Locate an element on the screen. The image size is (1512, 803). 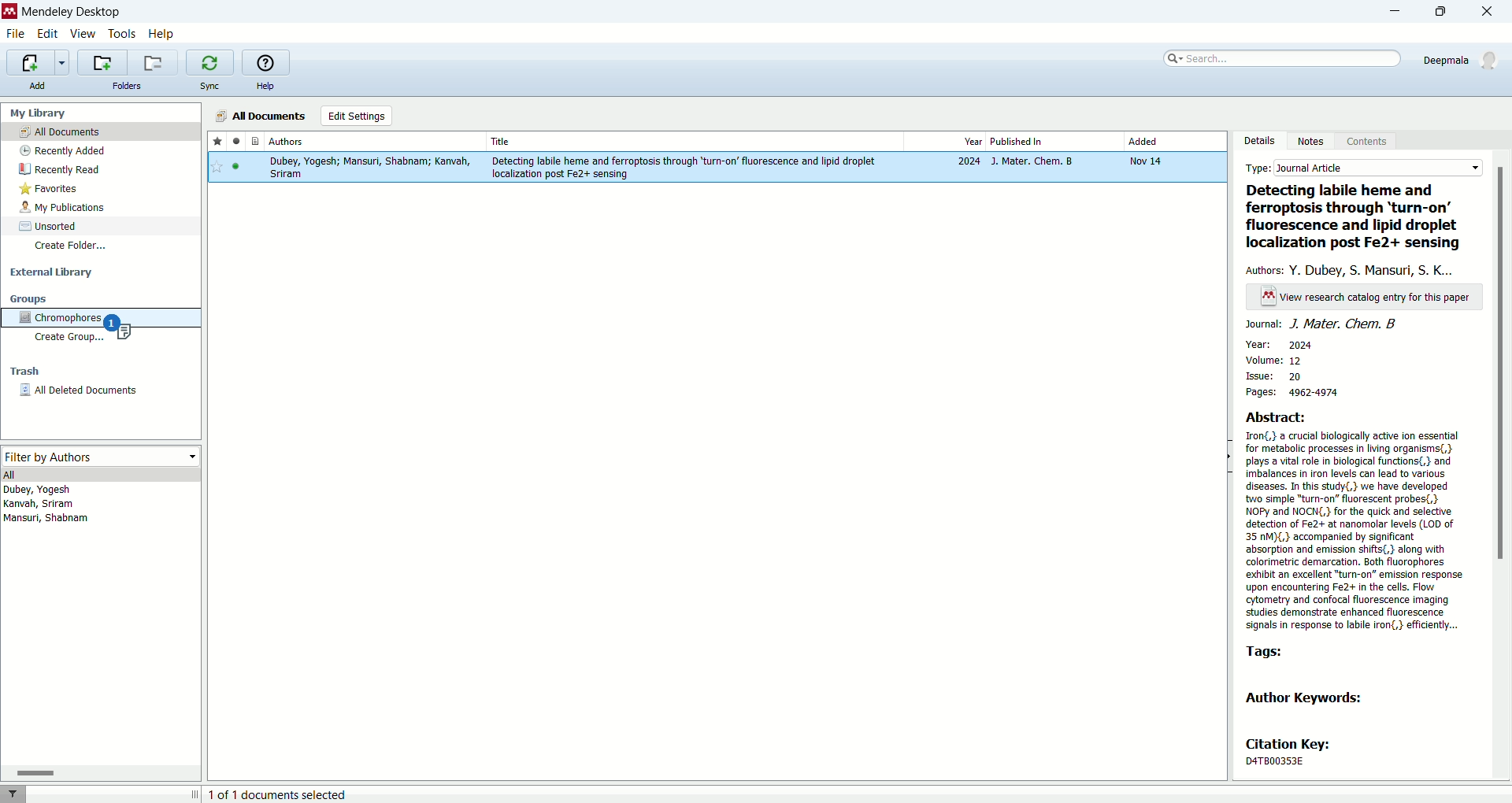
Abstract:

Tron{,} a crucial biologically active ion essential
for metabolic processes in ving organisms{,}
plays a vital role in biological functions(,} and
imbalances in iron levels can lead to various
diseases. In this study, we have developed
two simple “turn-on” fluorescent probes(,}
NOPy and NOCN{,} for the quick and selective
detection of Fe2+ at nanomolar levels (LOD of
35 M)(,} accompanied by significant
‘absorption and emission shits(,} along with
colorimetric demarcation. Both fluorophores
exhibit an excellent “turn-on” emission response
upon encountering Fe2+ in the cells. Flow
cytometry and confocal fluorescence imaging
studies demonstrate enhanced fluorescence
signals in response to labile iron{,} efficiently... is located at coordinates (1355, 520).